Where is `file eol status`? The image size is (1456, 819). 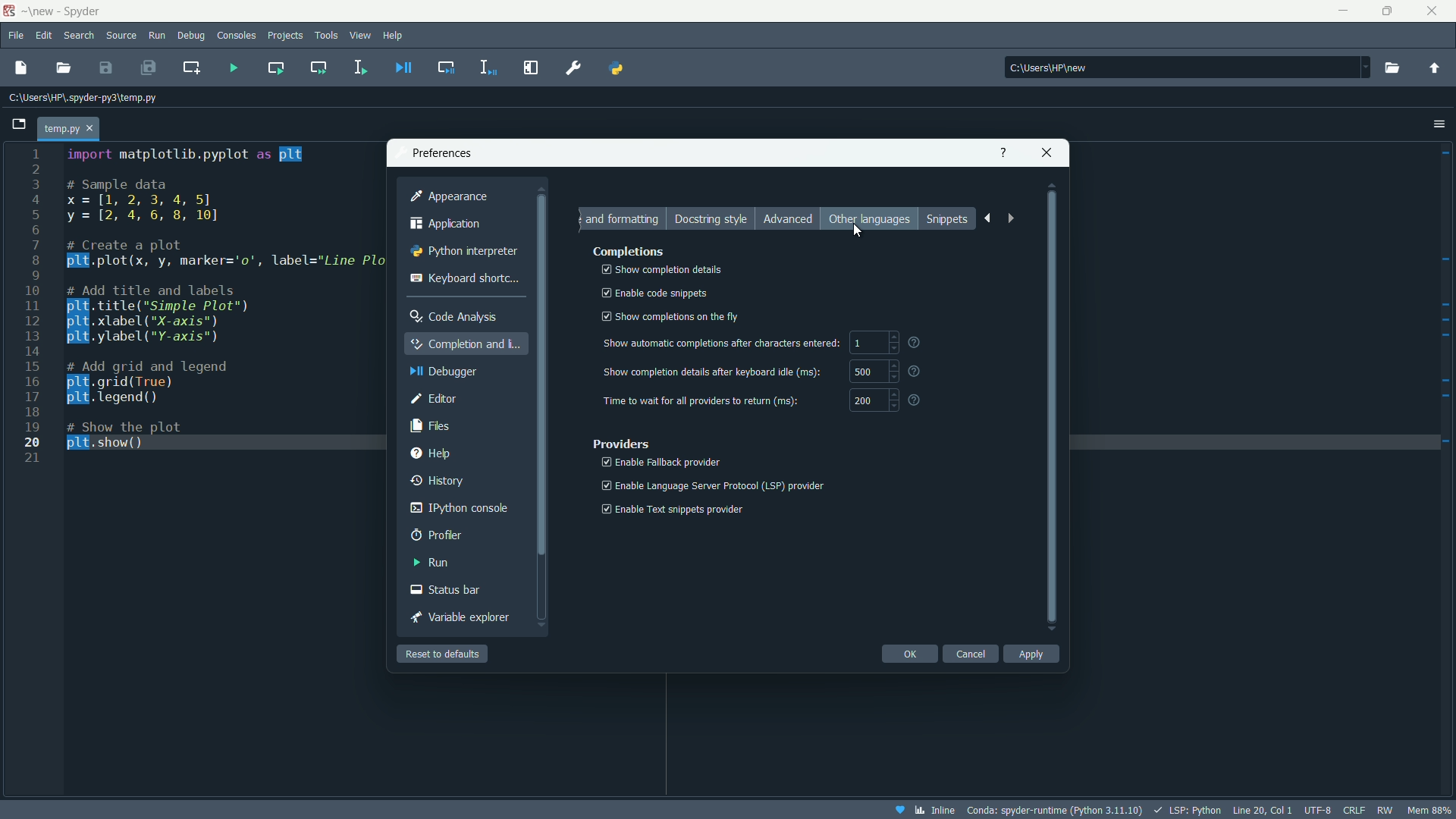 file eol status is located at coordinates (1352, 811).